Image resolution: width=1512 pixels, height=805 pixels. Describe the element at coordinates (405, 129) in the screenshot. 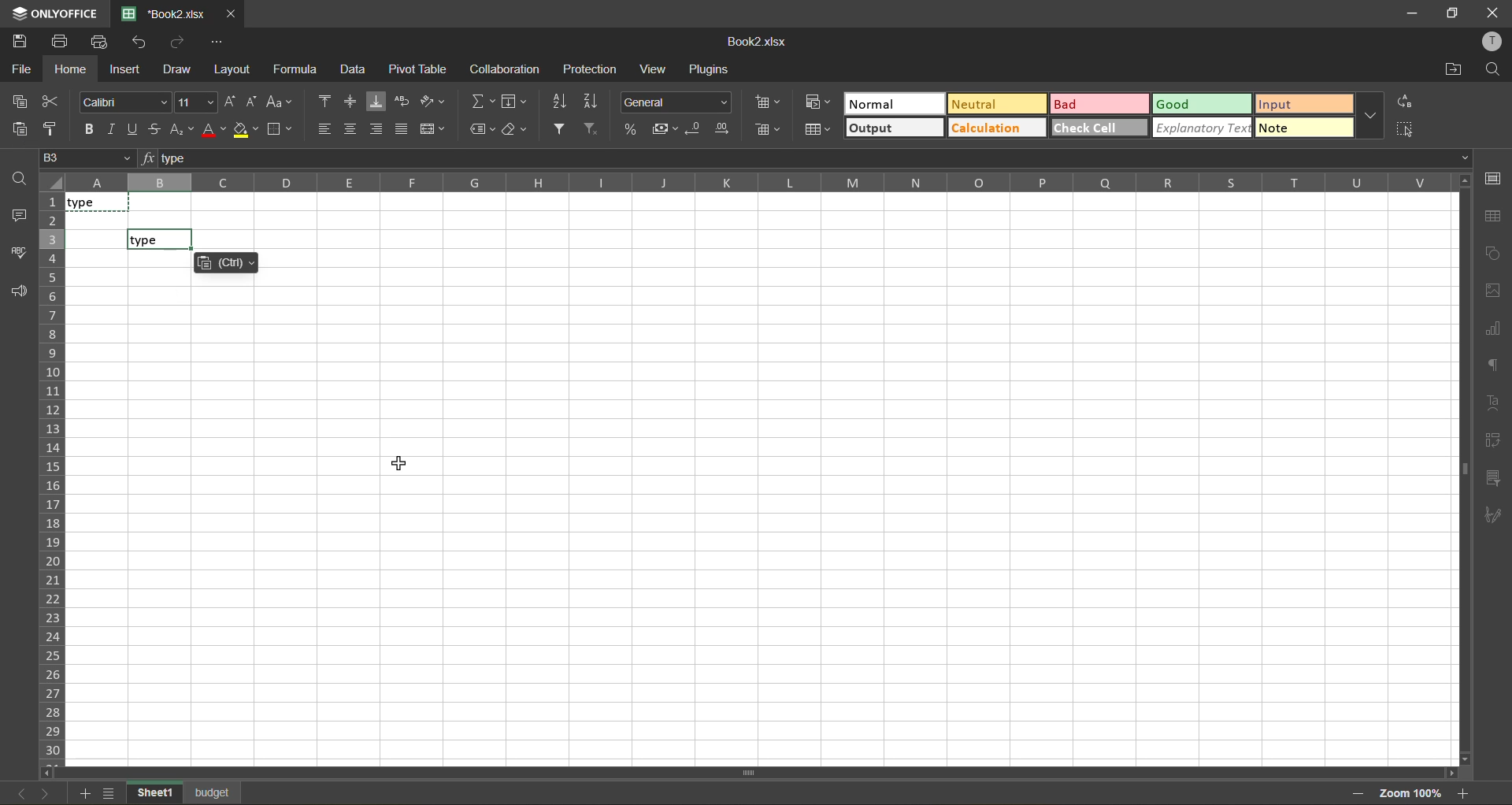

I see `justified` at that location.